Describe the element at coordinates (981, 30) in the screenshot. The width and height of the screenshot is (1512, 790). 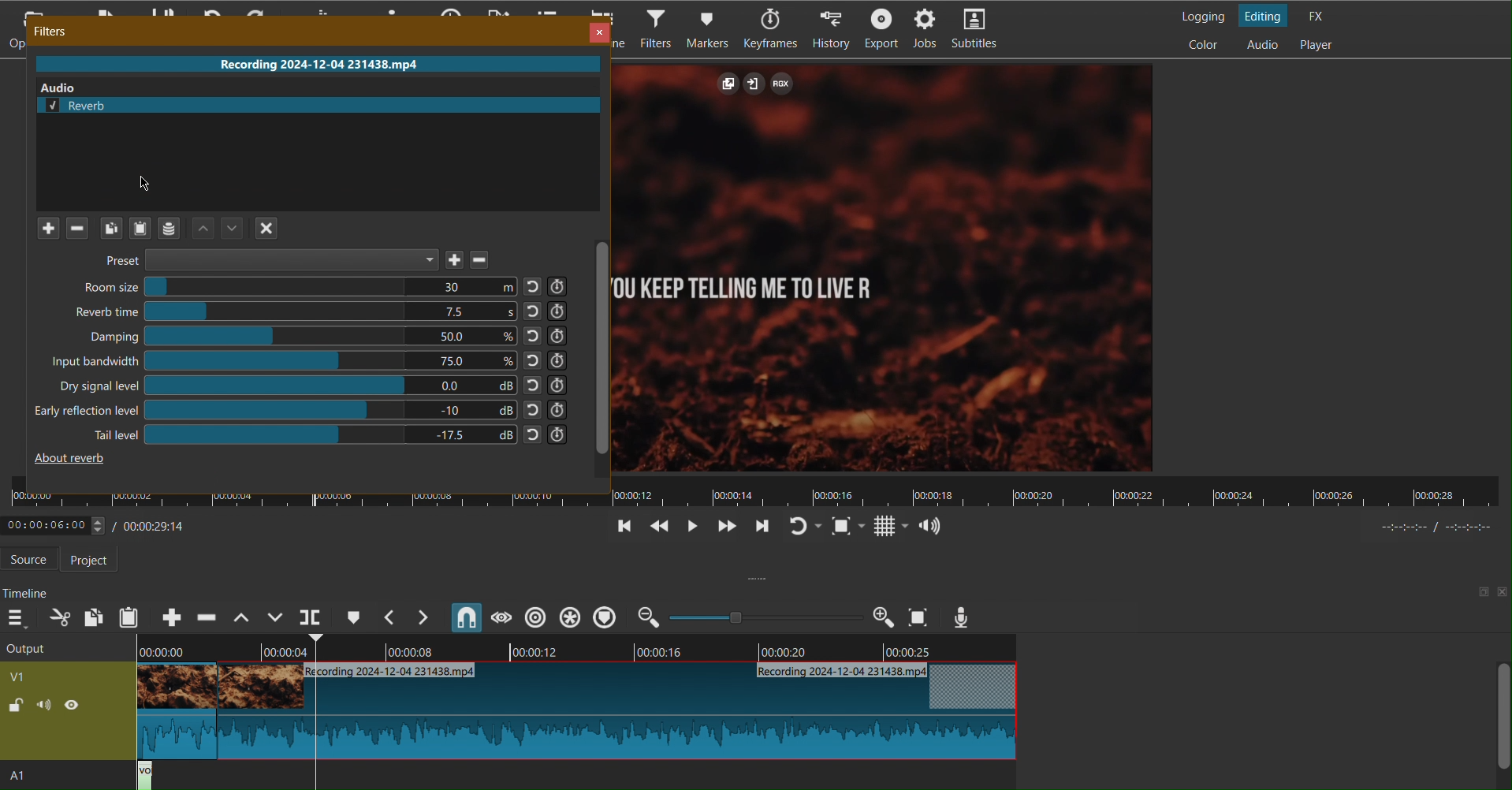
I see `Subtitles` at that location.